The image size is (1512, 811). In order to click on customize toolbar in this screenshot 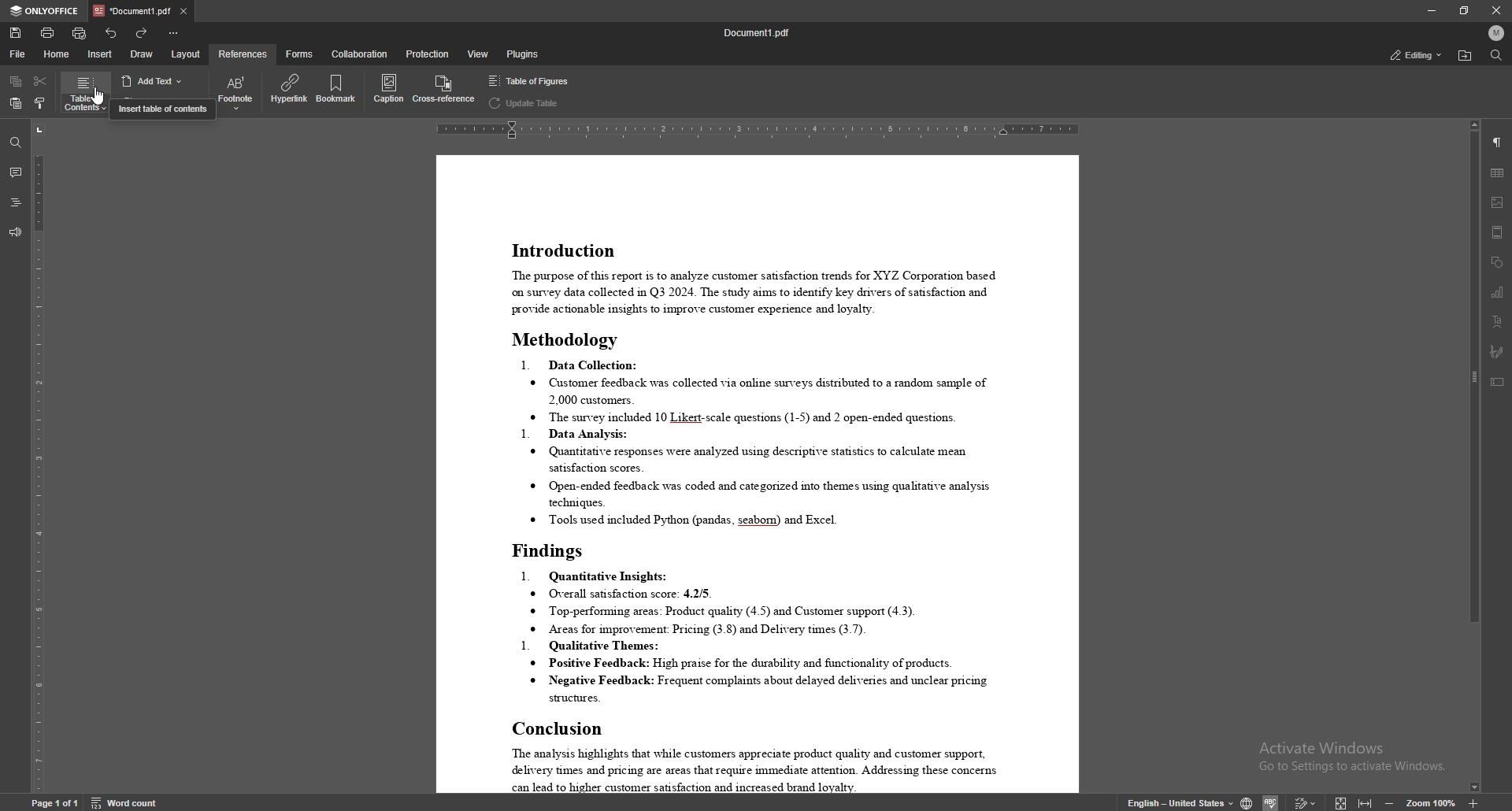, I will do `click(173, 33)`.